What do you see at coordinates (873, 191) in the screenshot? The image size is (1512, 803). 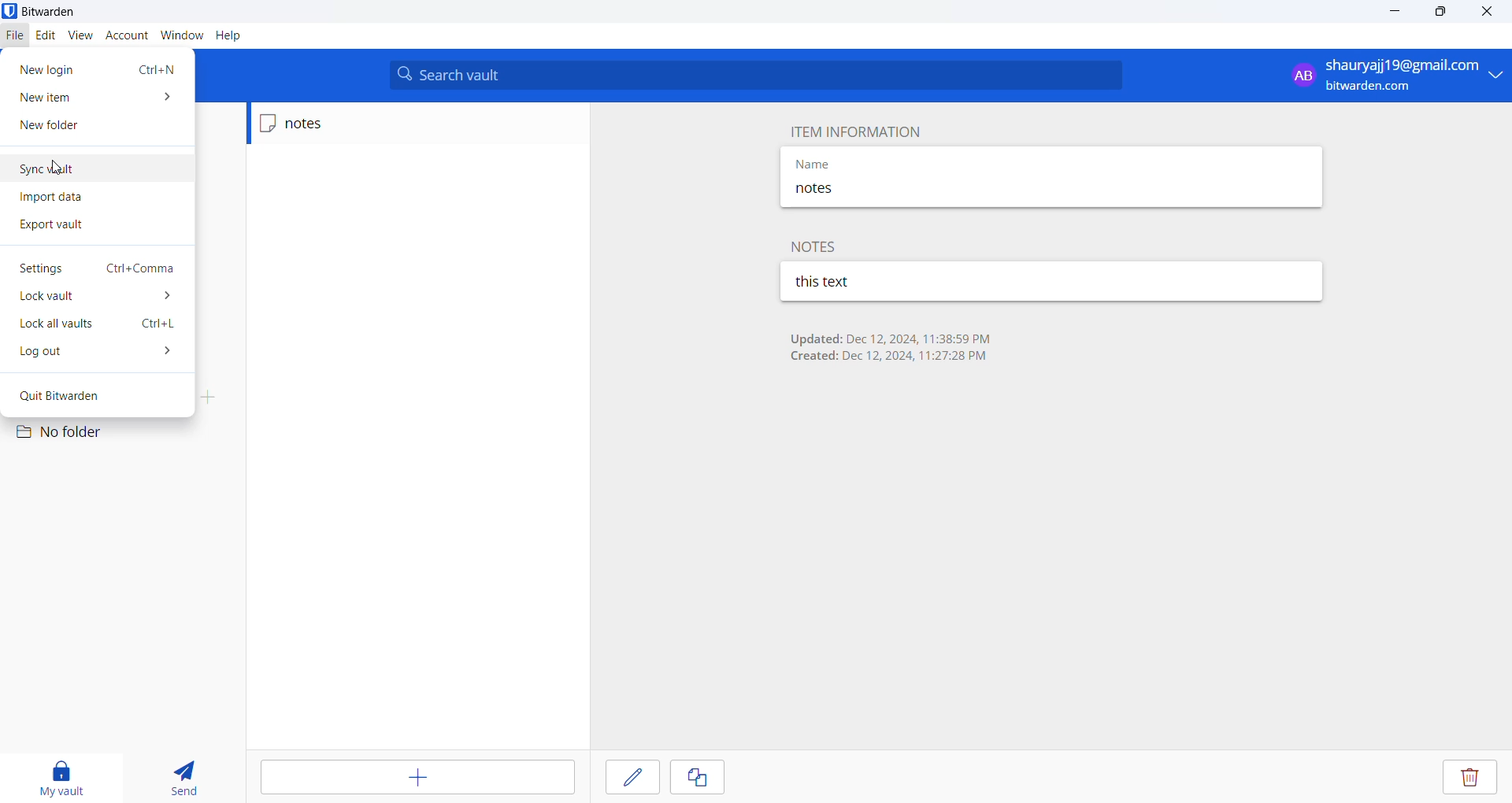 I see `notes` at bounding box center [873, 191].